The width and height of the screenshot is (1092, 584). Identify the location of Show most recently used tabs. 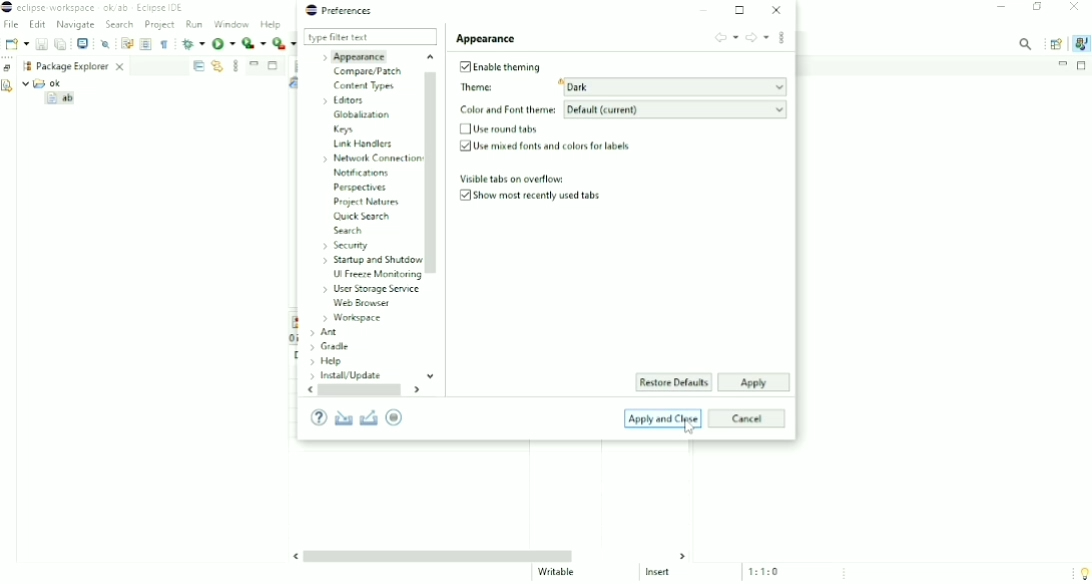
(534, 197).